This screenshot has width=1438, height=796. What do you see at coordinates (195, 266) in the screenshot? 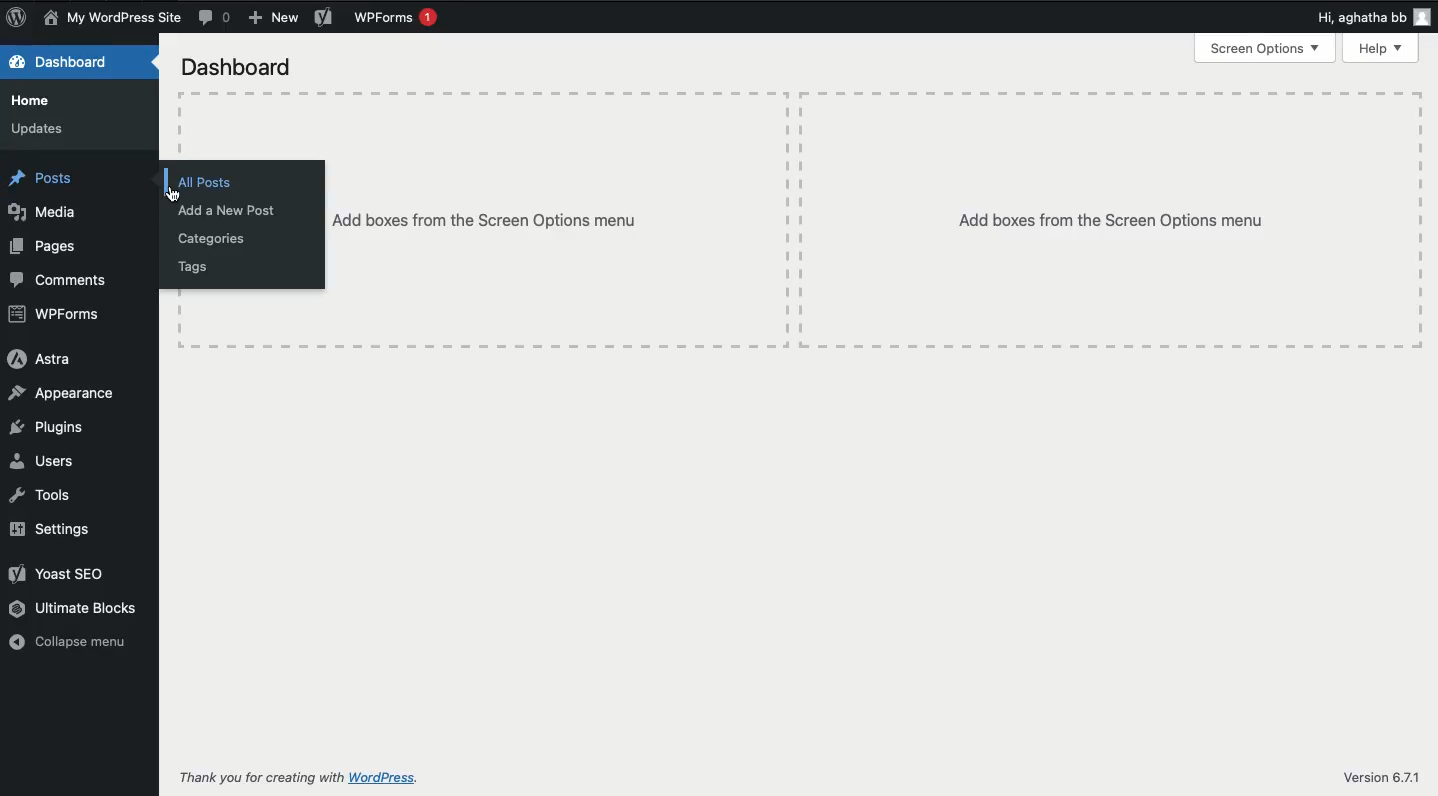
I see `Tags` at bounding box center [195, 266].